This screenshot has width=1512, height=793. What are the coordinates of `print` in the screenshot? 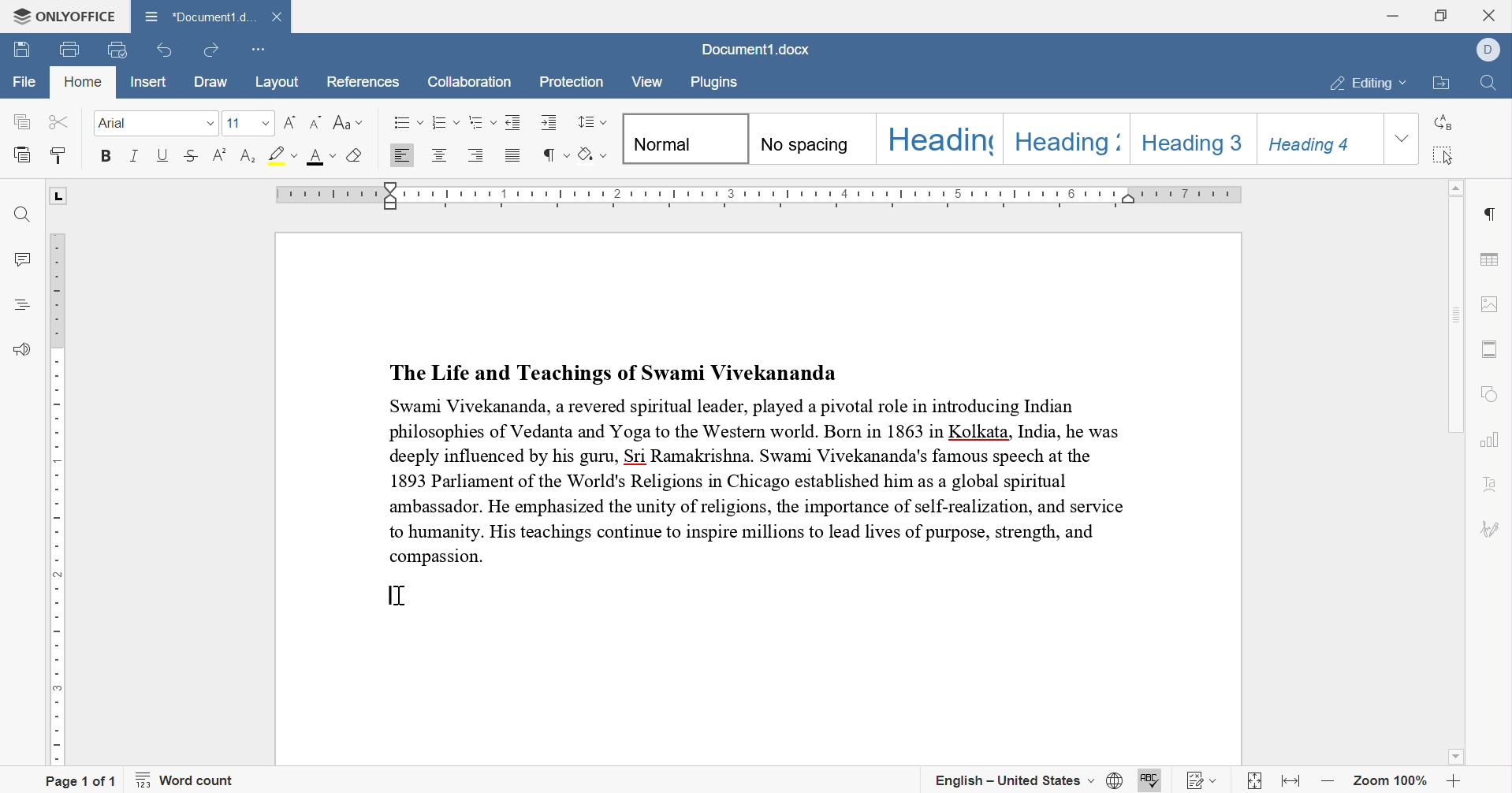 It's located at (70, 50).